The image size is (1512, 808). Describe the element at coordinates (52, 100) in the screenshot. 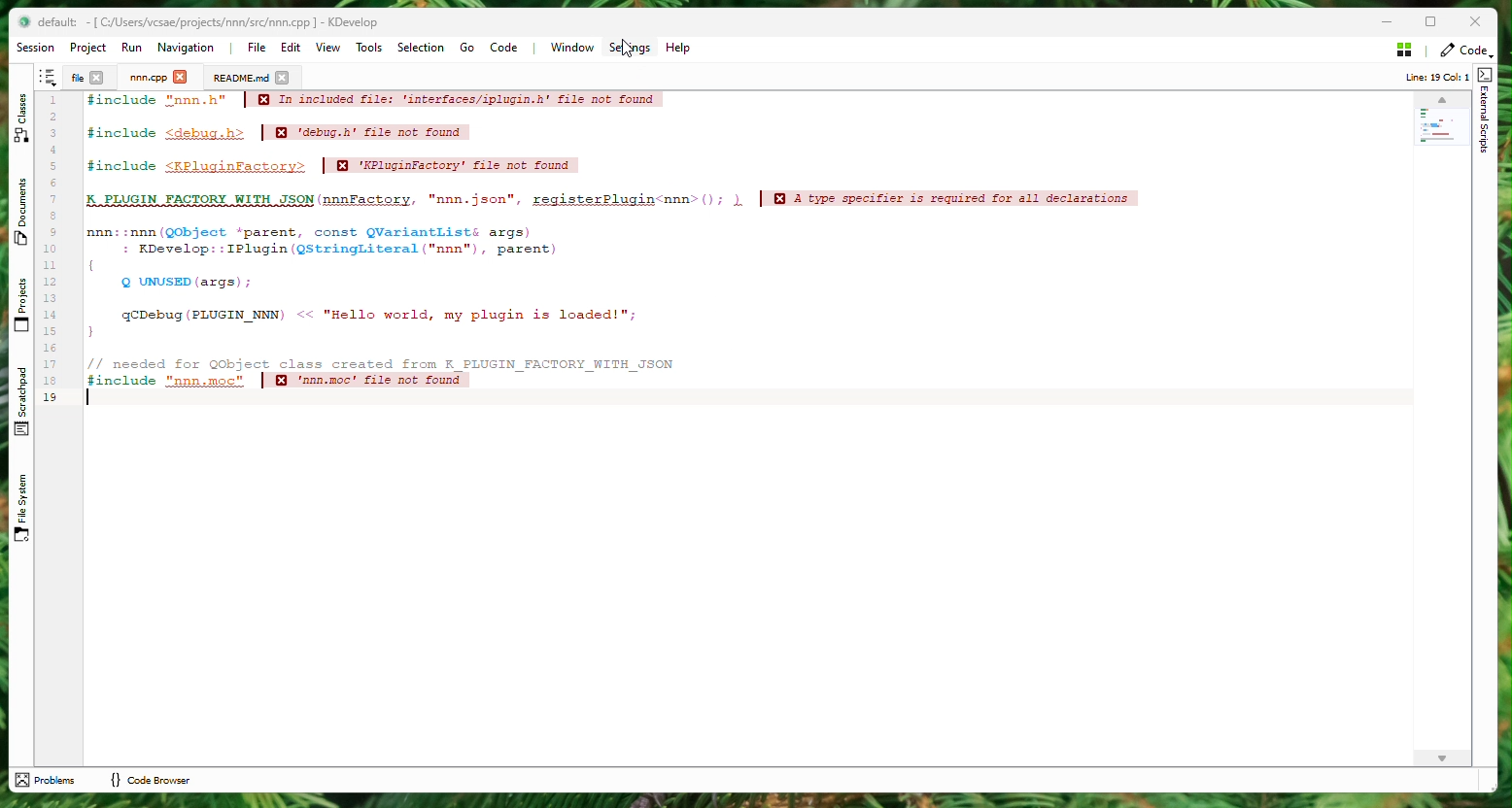

I see `1` at that location.